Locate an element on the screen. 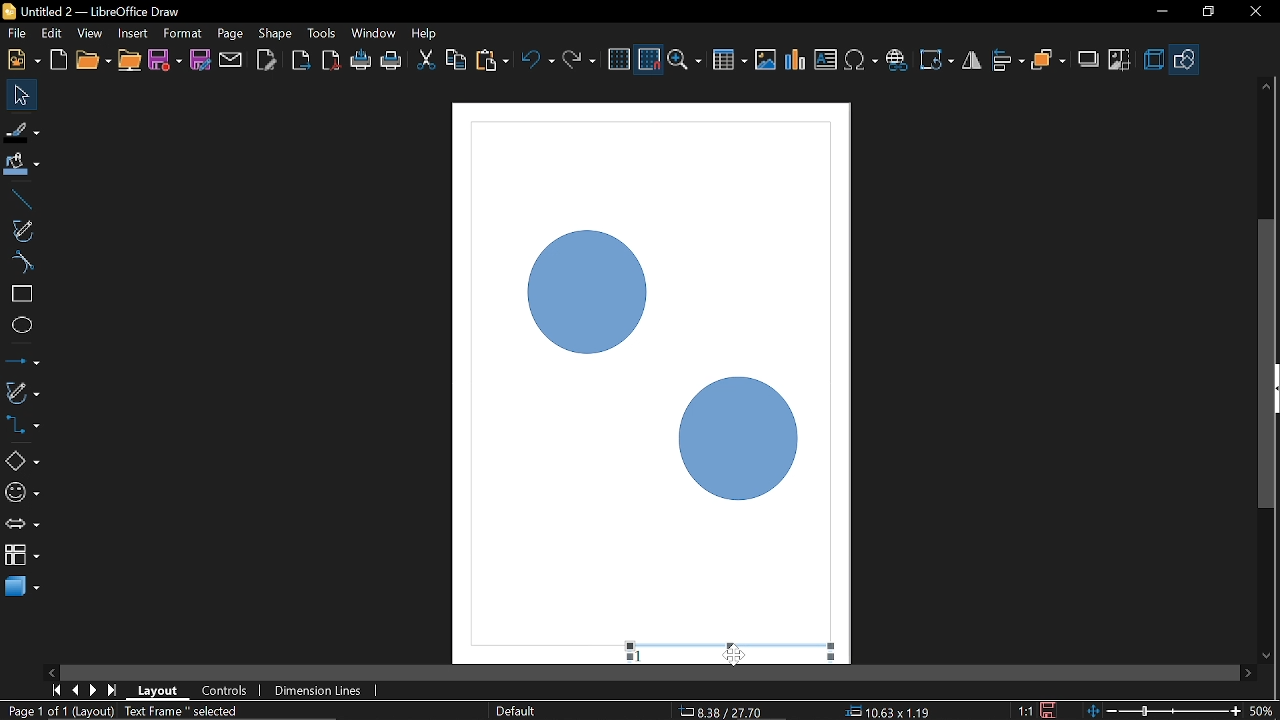 The width and height of the screenshot is (1280, 720). Open template manager is located at coordinates (58, 60).